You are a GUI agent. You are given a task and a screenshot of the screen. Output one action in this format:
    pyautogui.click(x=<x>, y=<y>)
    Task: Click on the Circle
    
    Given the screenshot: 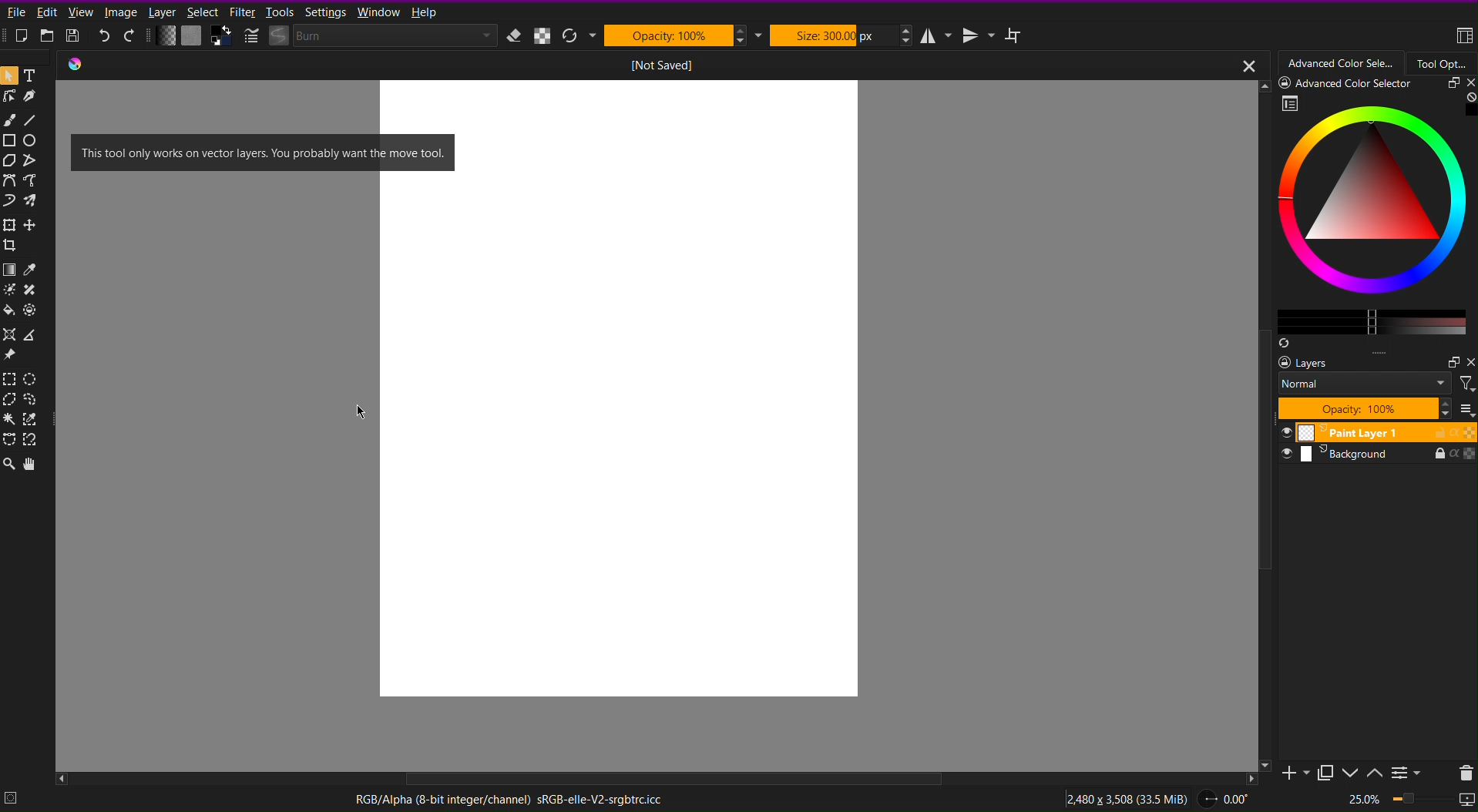 What is the action you would take?
    pyautogui.click(x=35, y=141)
    